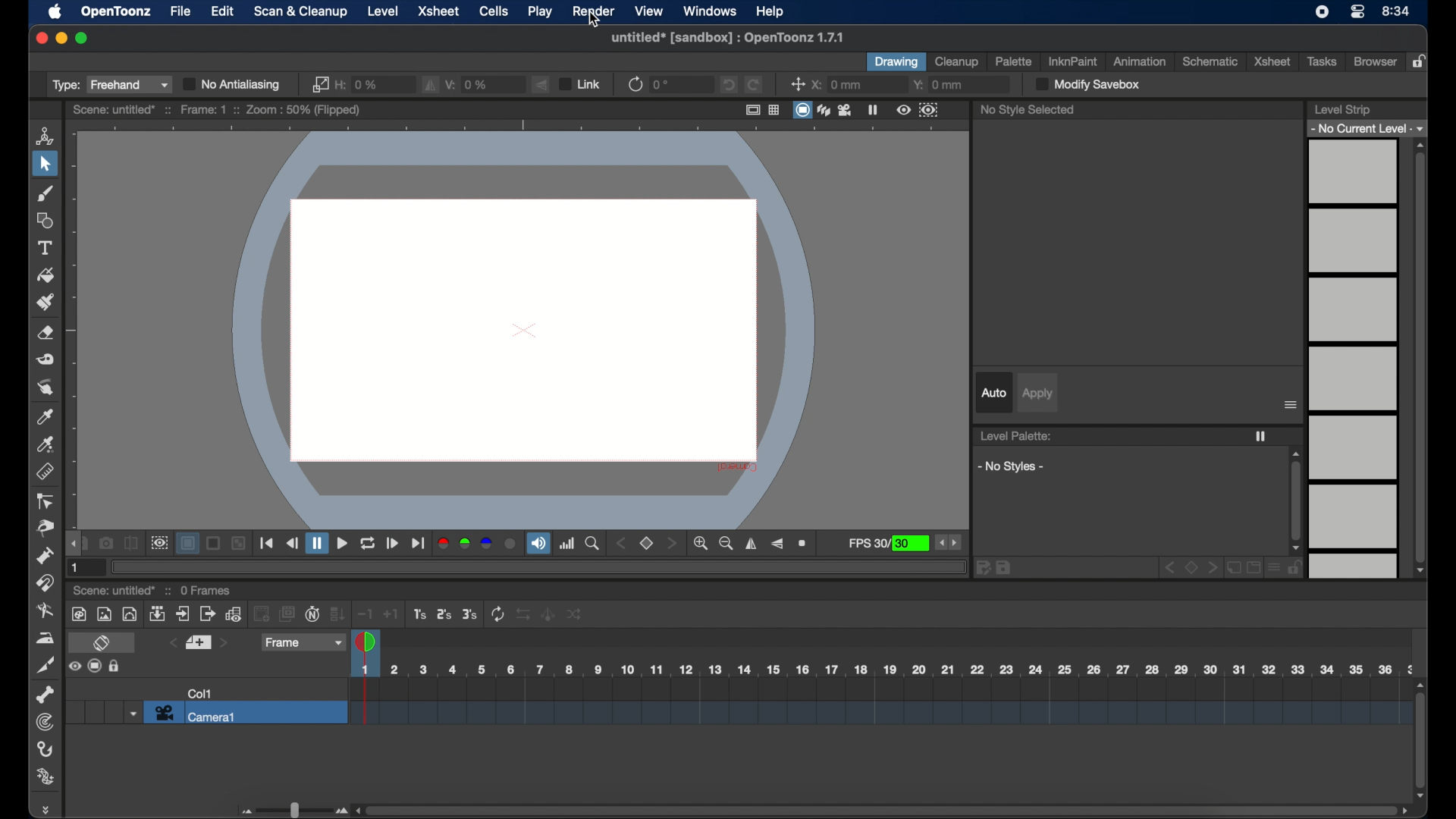 Image resolution: width=1456 pixels, height=819 pixels. Describe the element at coordinates (46, 667) in the screenshot. I see `cutter tool` at that location.